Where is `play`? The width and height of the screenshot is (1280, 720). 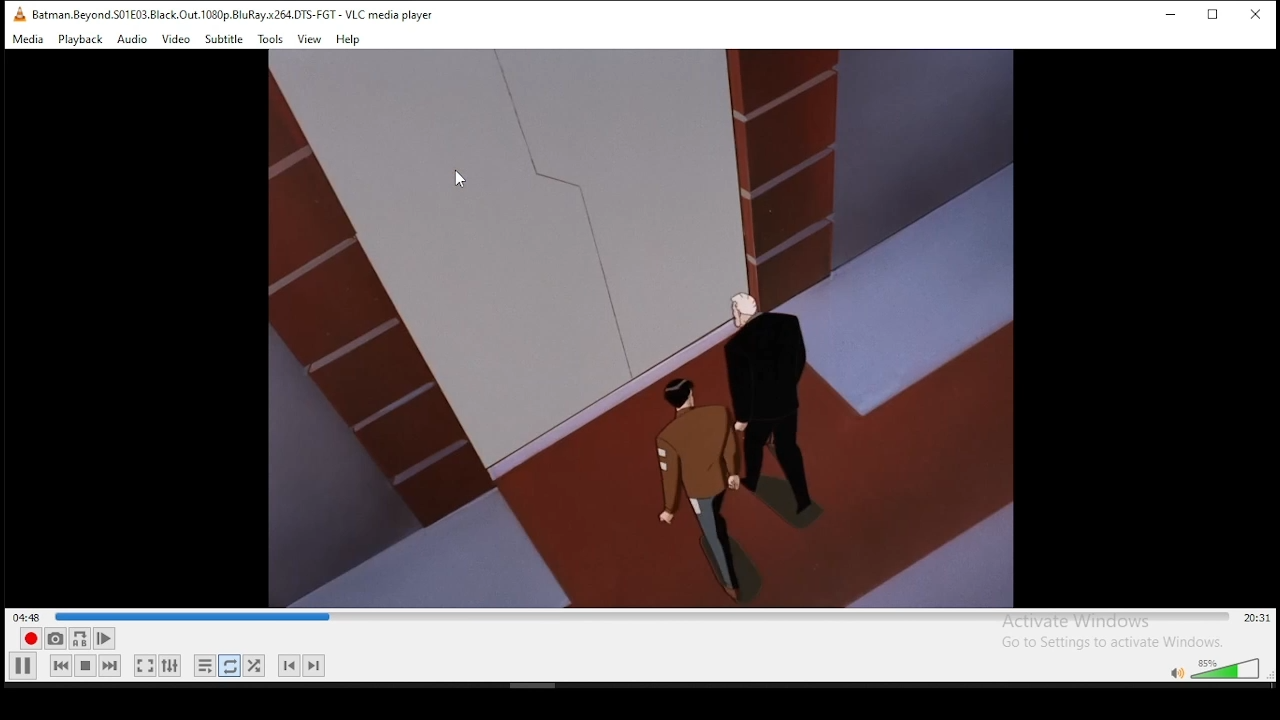 play is located at coordinates (23, 666).